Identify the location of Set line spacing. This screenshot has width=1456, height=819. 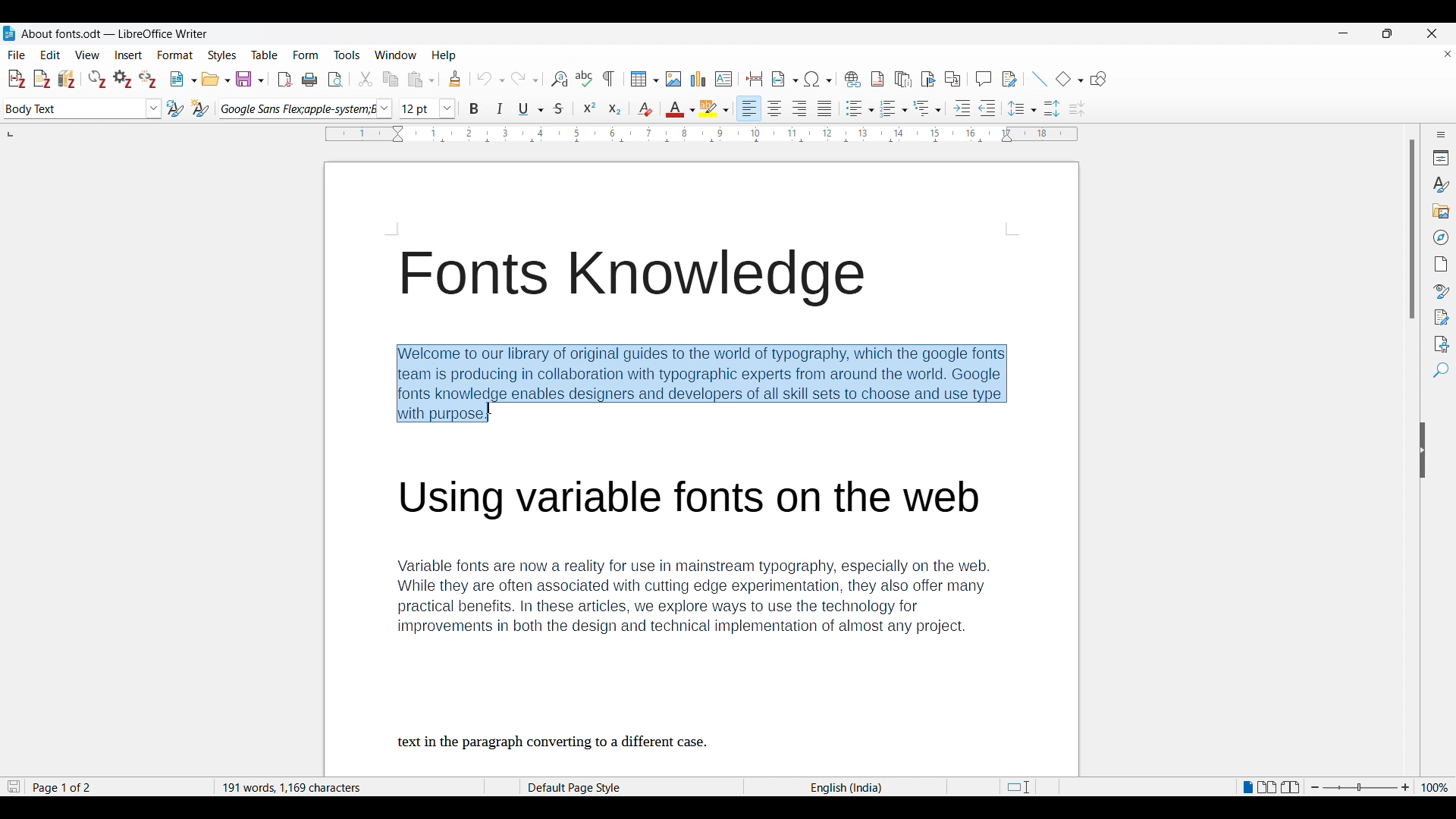
(1022, 108).